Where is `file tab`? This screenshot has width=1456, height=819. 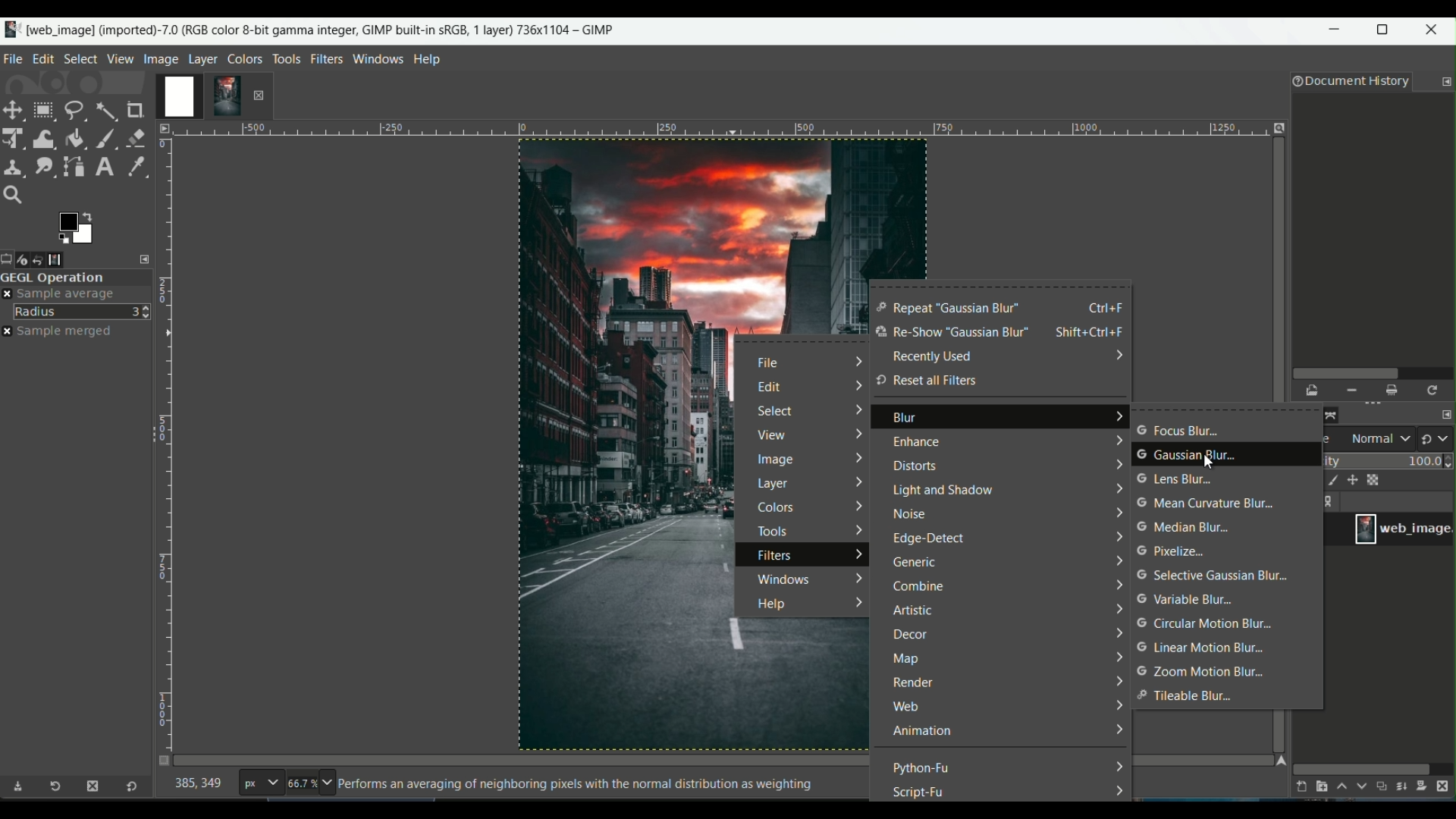 file tab is located at coordinates (14, 57).